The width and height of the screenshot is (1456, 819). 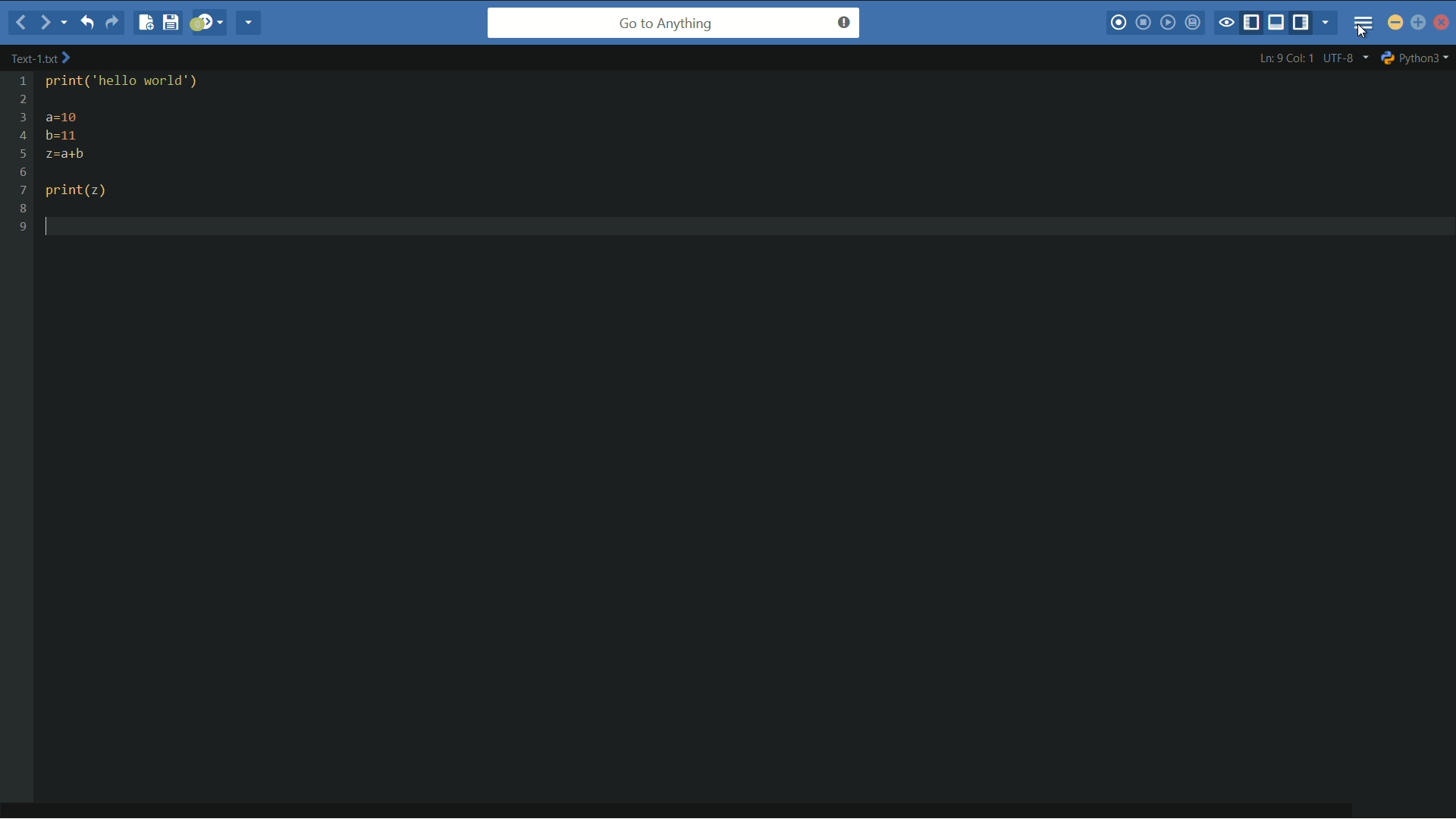 I want to click on jump to next syntax checking result, so click(x=208, y=24).